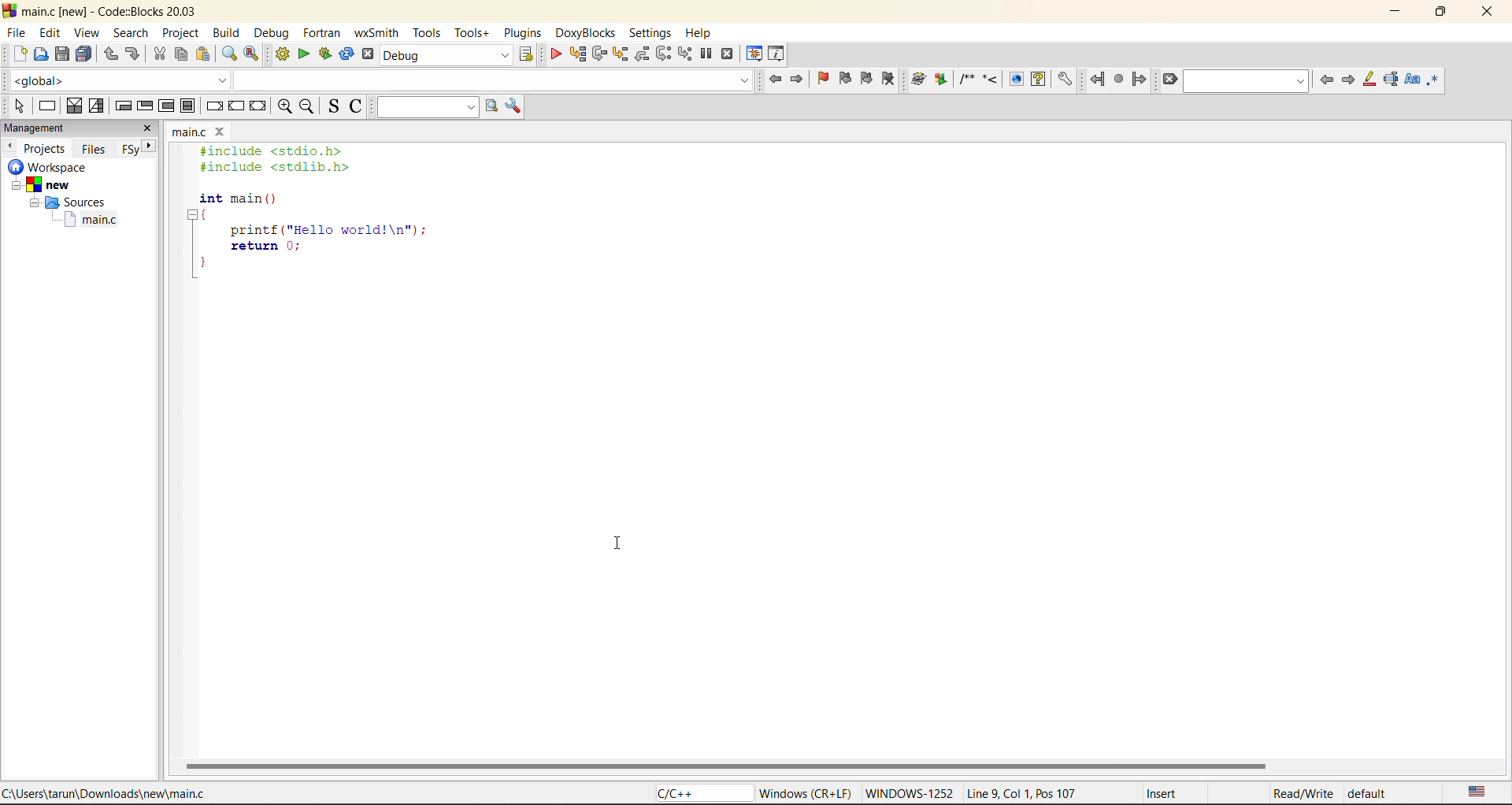  I want to click on next, so click(1347, 82).